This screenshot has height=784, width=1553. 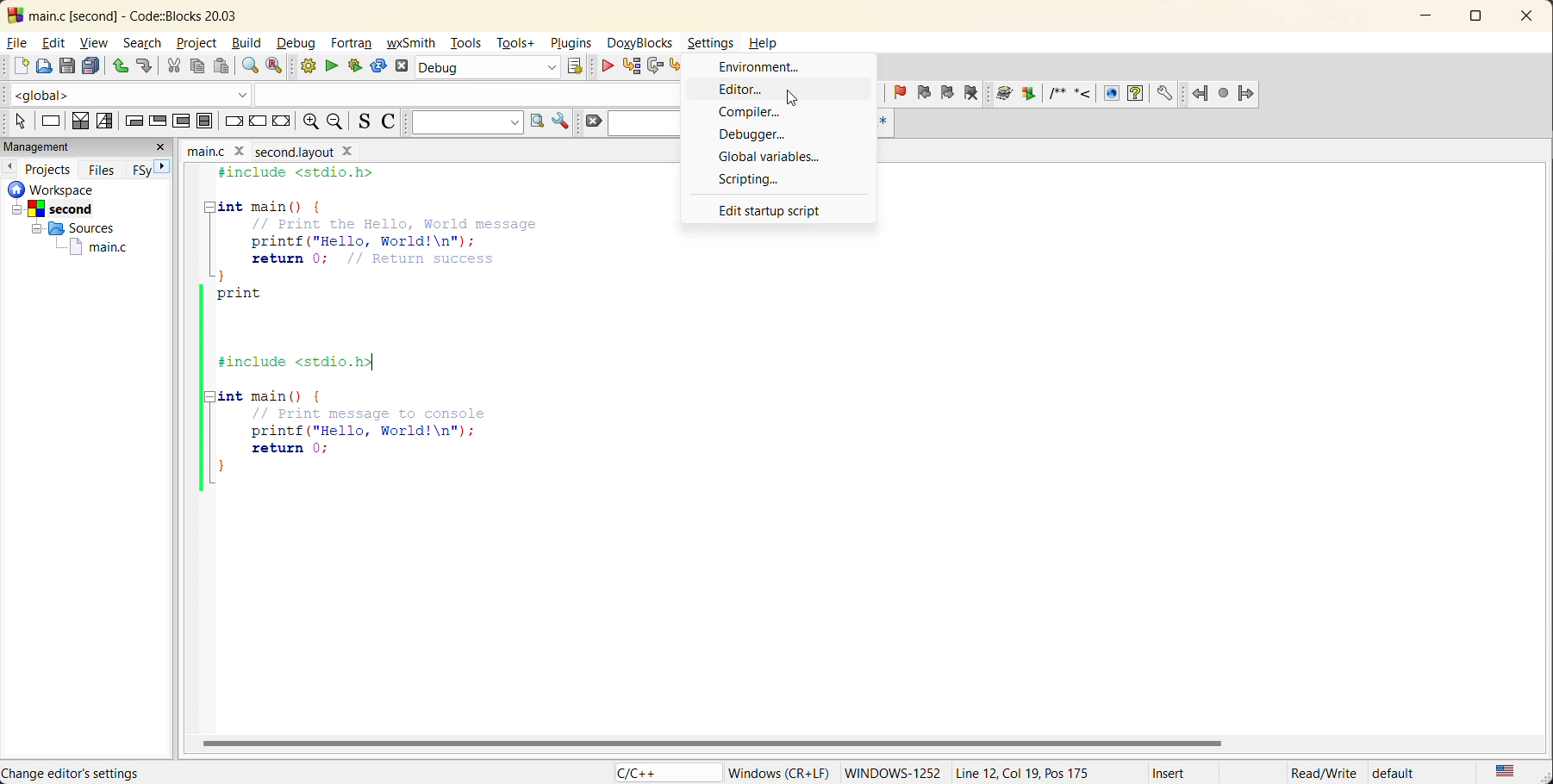 I want to click on tools, so click(x=464, y=46).